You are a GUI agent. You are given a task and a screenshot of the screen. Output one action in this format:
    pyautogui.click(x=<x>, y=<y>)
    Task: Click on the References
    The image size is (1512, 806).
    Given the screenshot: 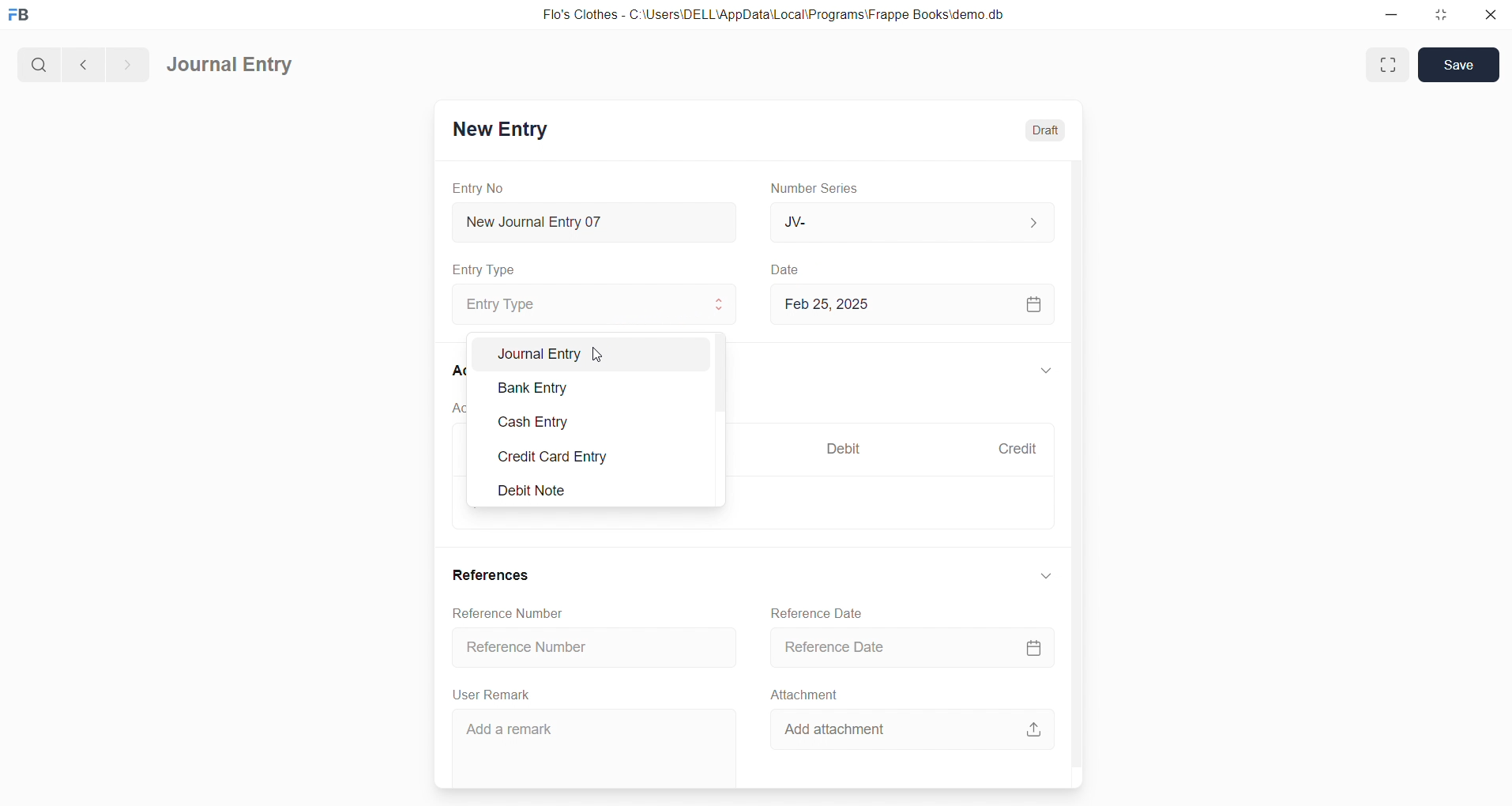 What is the action you would take?
    pyautogui.click(x=495, y=577)
    